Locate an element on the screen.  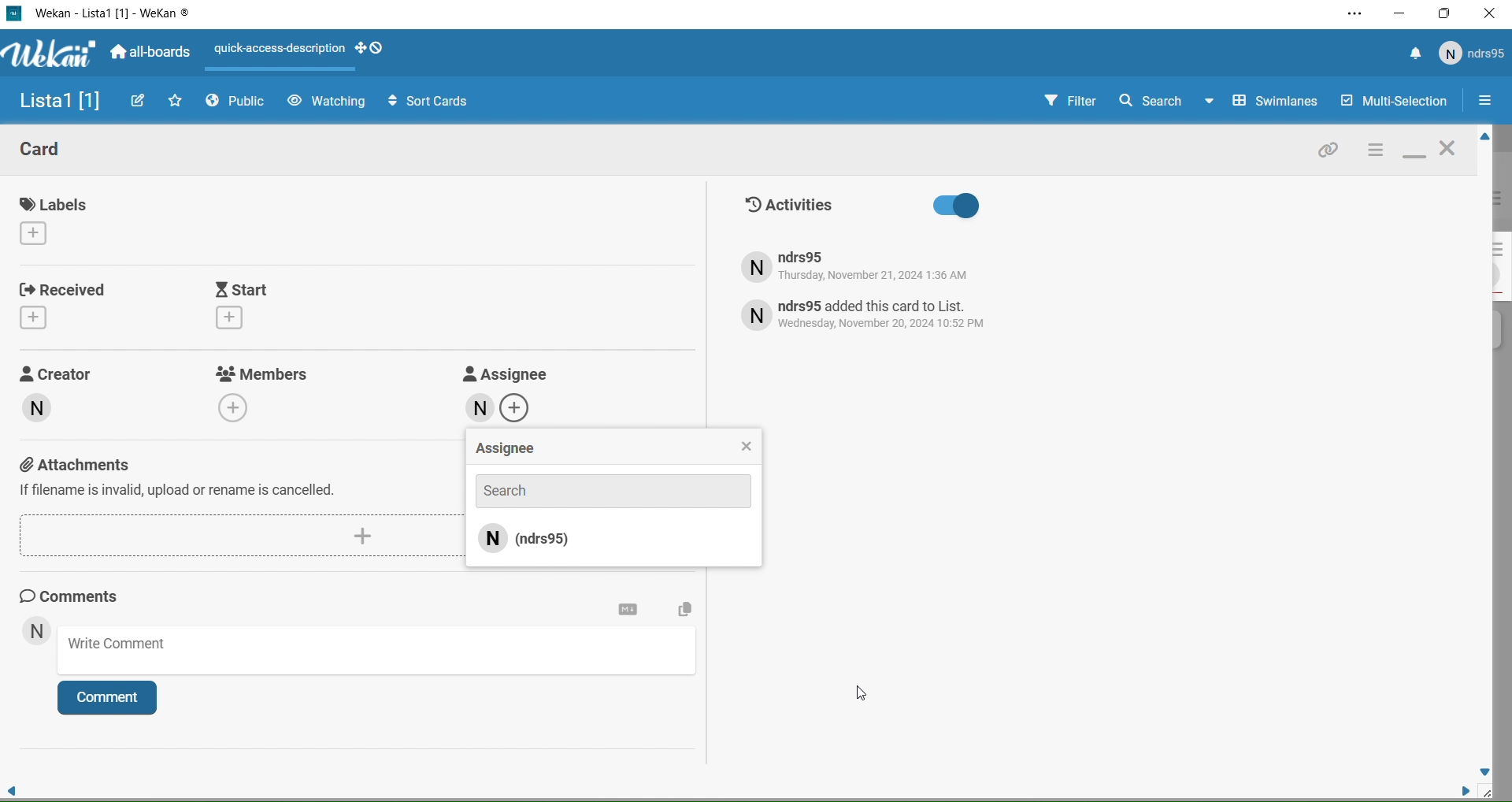
Search is located at coordinates (1150, 100).